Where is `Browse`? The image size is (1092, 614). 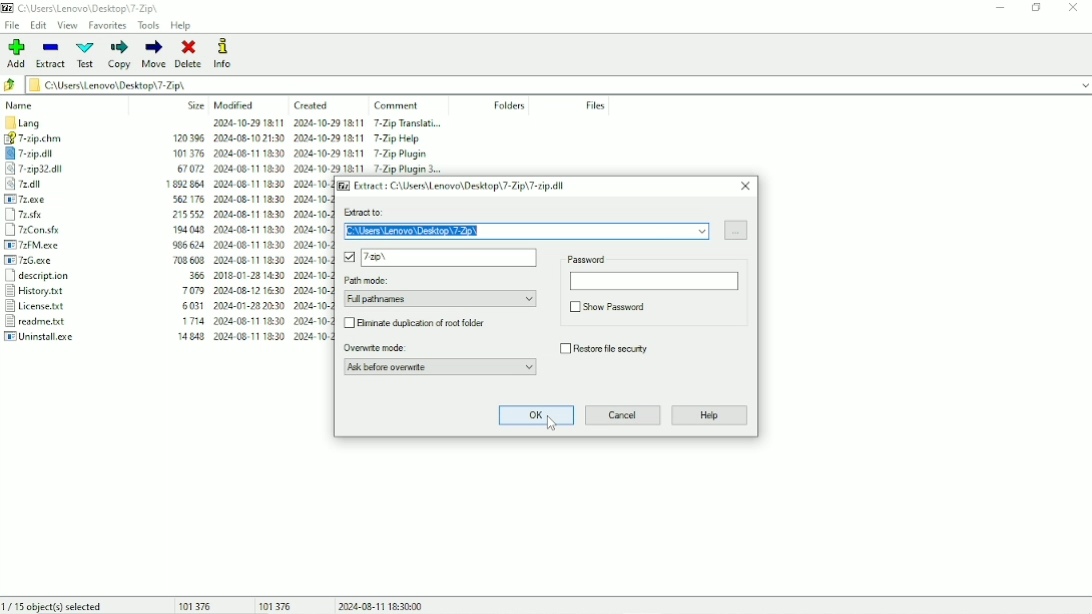 Browse is located at coordinates (738, 230).